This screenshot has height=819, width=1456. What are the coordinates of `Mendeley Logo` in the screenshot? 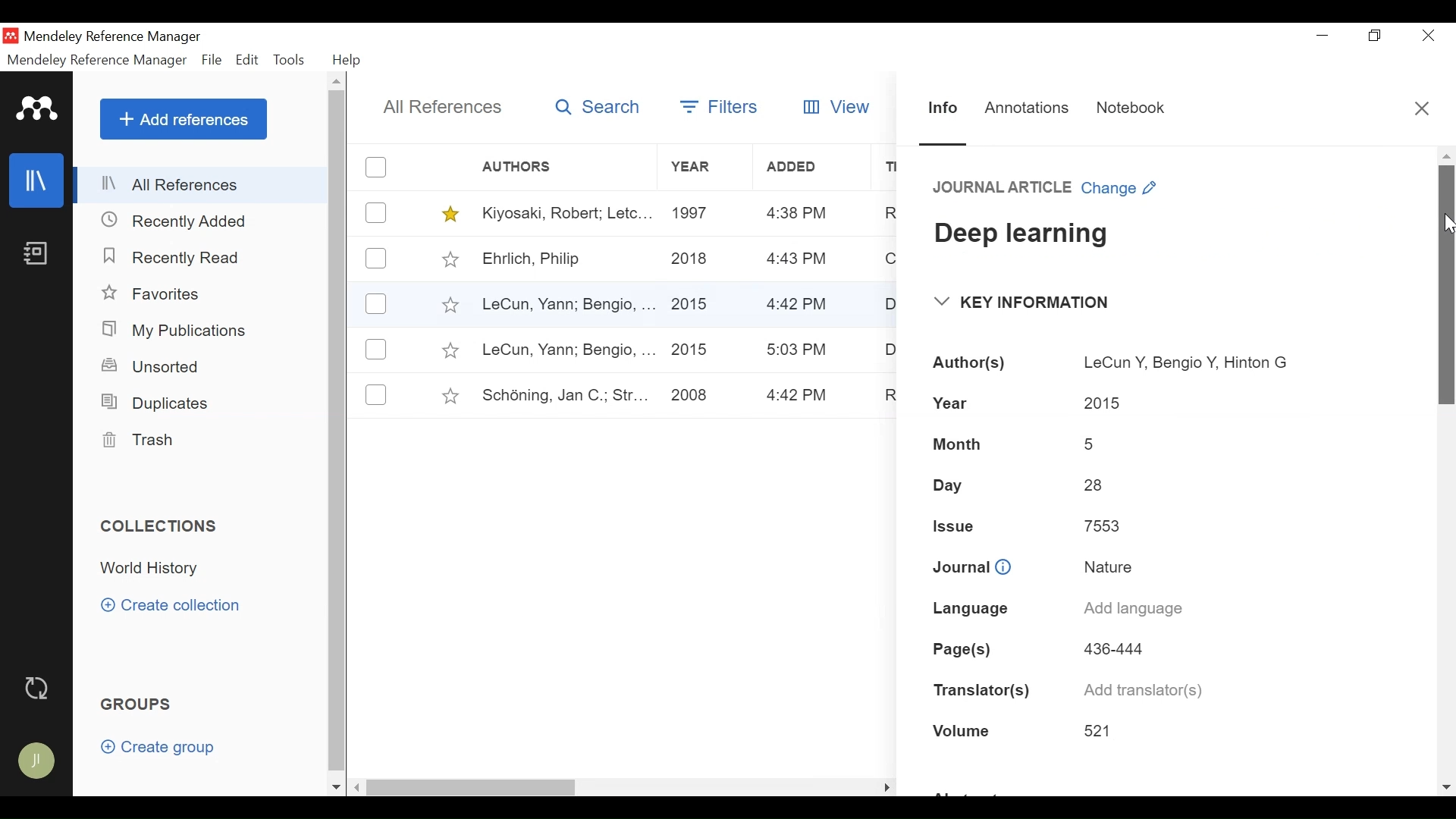 It's located at (37, 111).